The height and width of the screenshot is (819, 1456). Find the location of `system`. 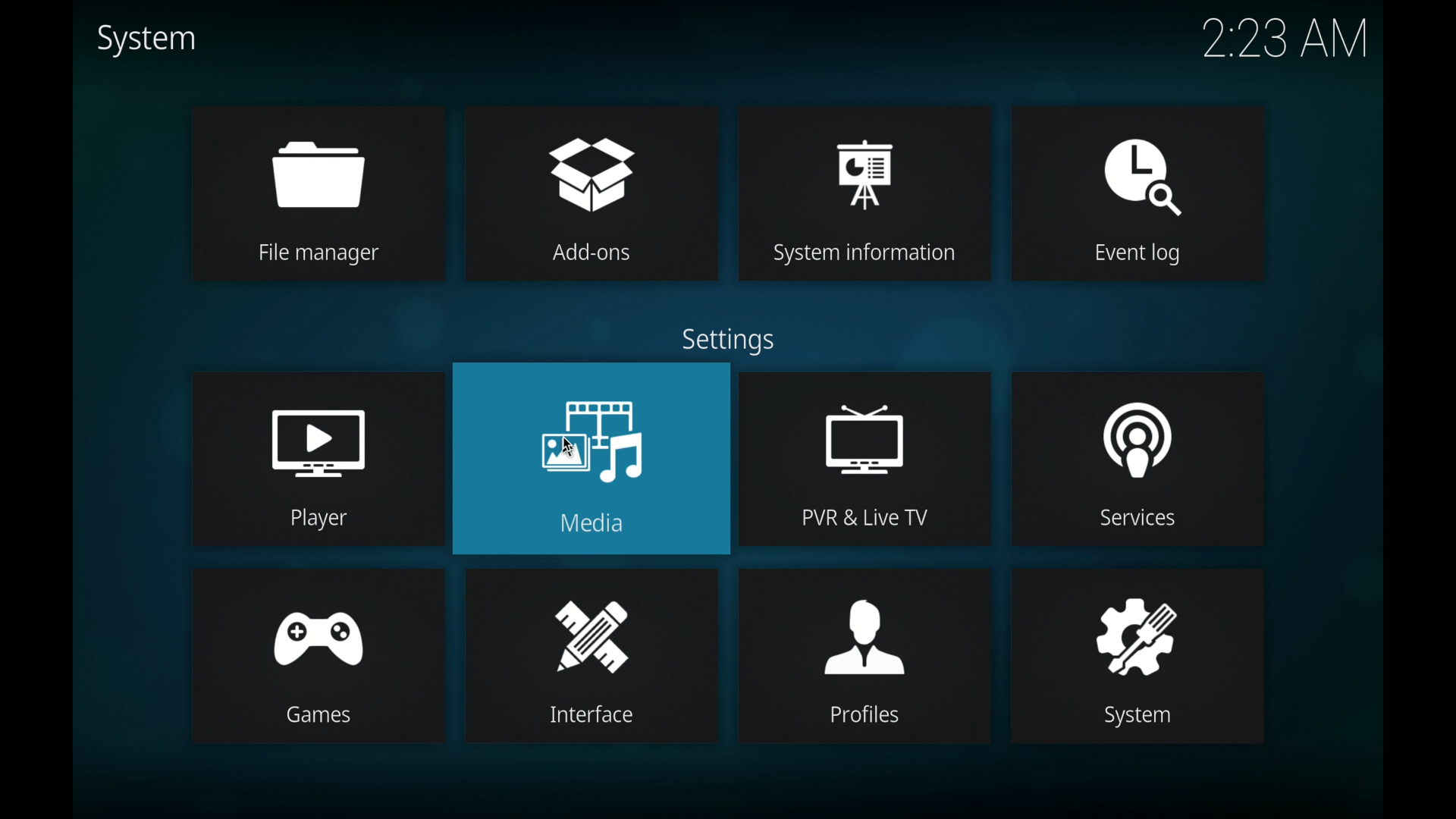

system is located at coordinates (146, 40).